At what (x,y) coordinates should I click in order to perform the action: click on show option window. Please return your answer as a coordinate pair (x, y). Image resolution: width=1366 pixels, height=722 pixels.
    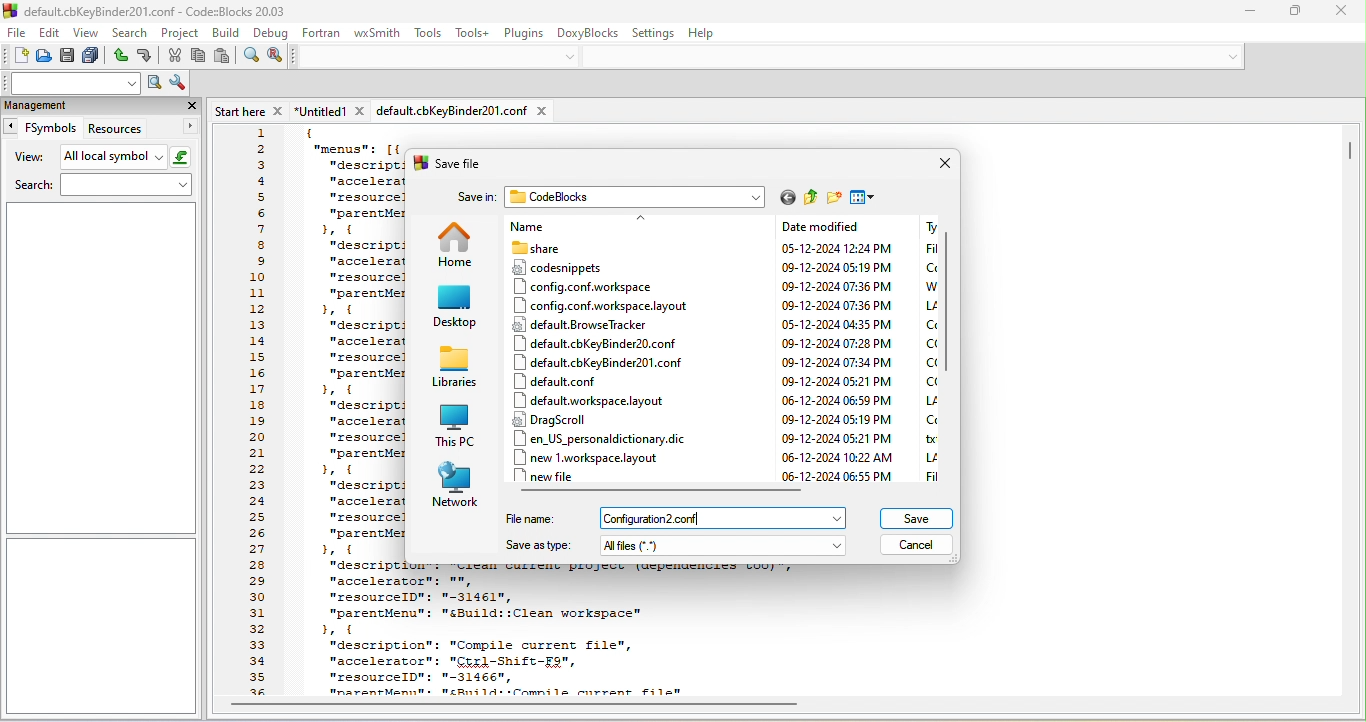
    Looking at the image, I should click on (178, 83).